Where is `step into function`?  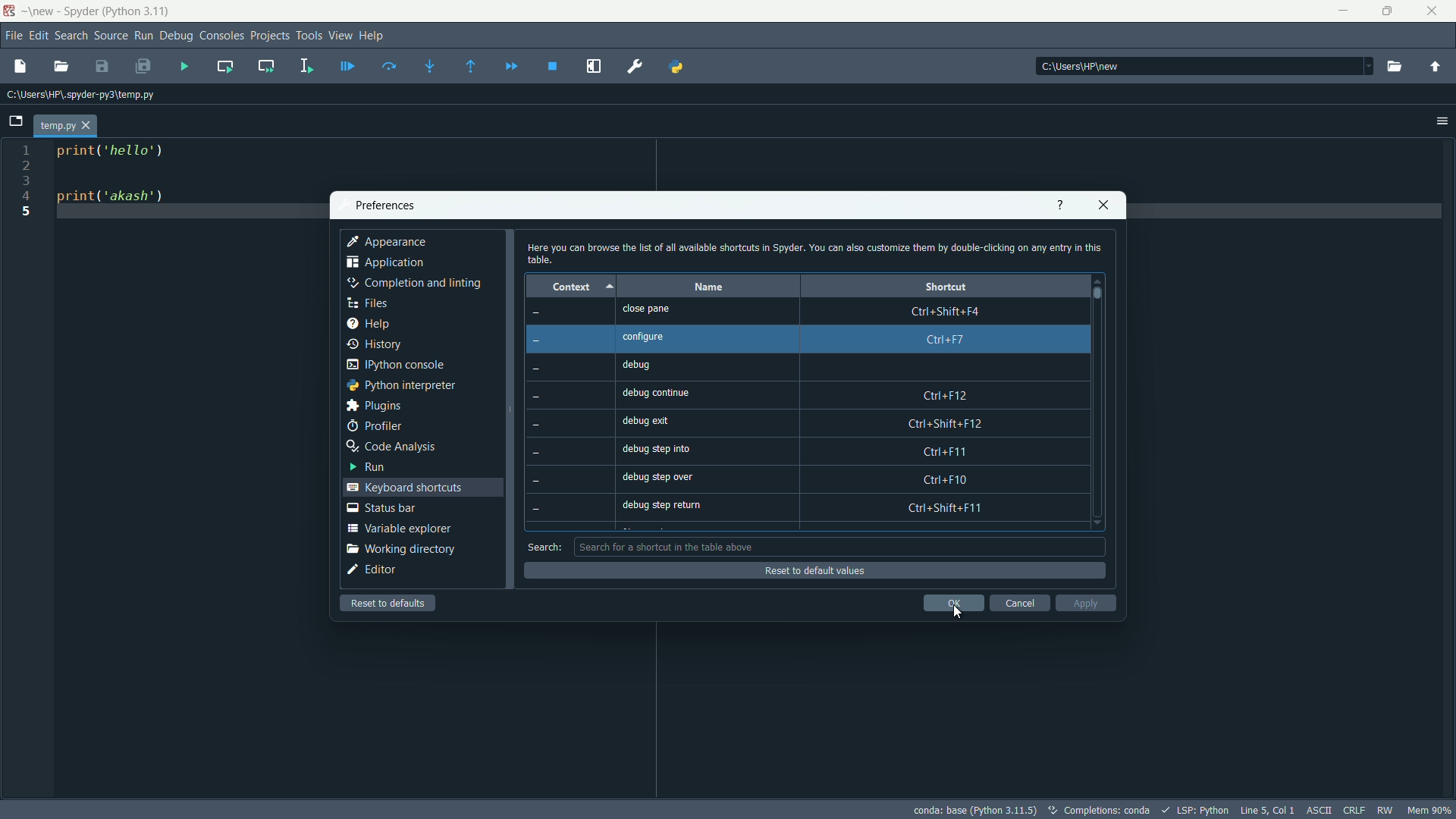 step into function is located at coordinates (431, 67).